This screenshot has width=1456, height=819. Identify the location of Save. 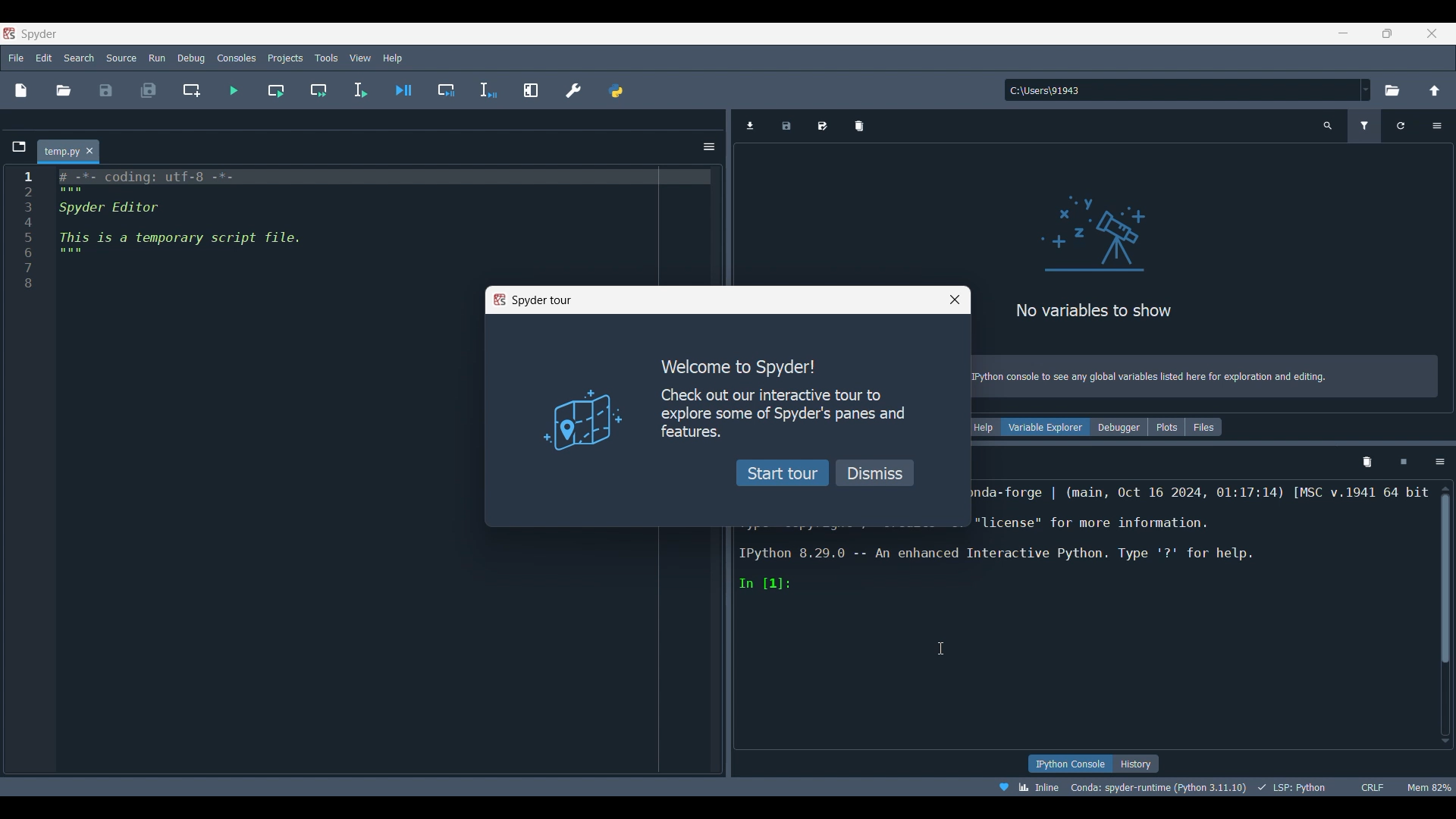
(106, 90).